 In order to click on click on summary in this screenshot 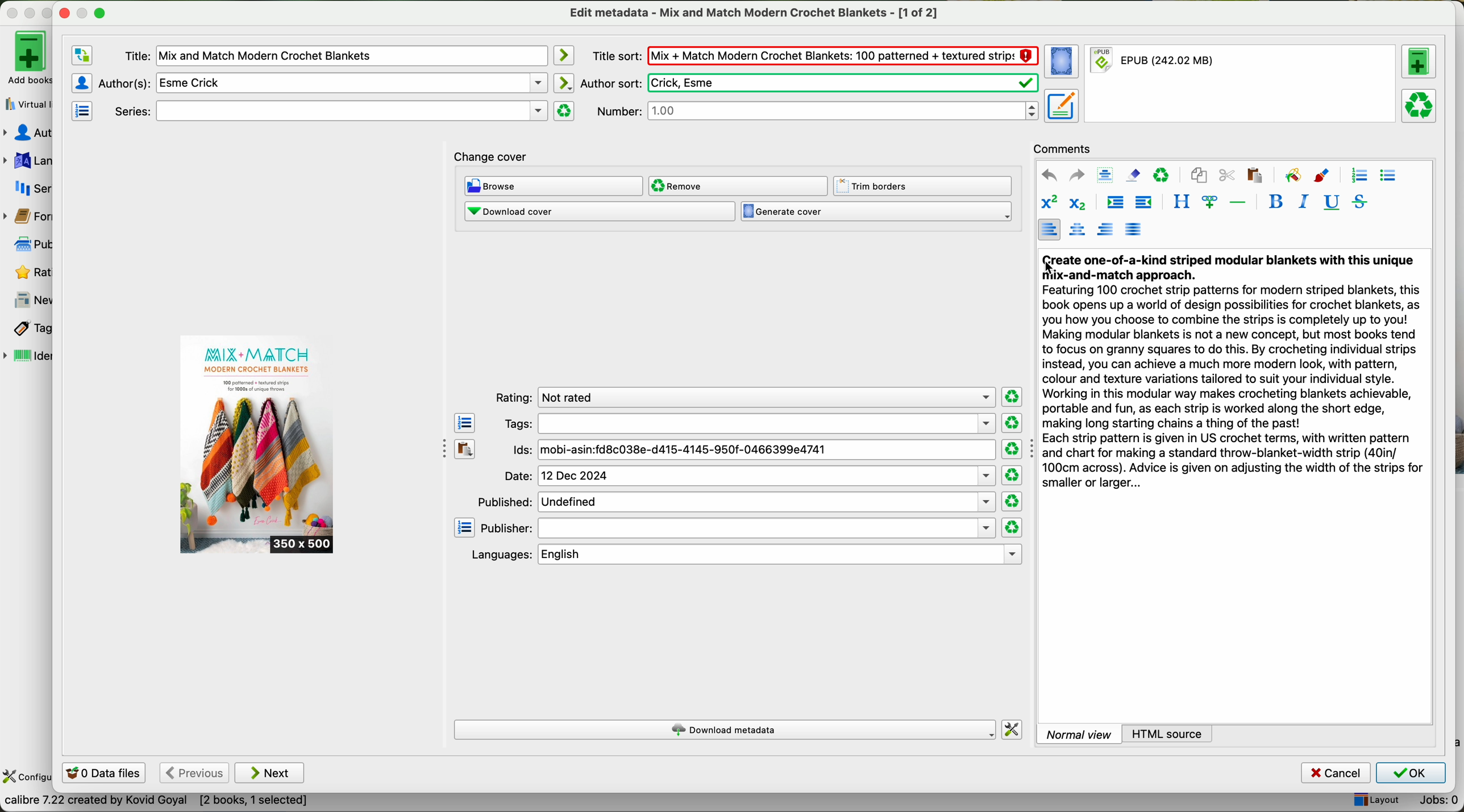, I will do `click(1233, 375)`.